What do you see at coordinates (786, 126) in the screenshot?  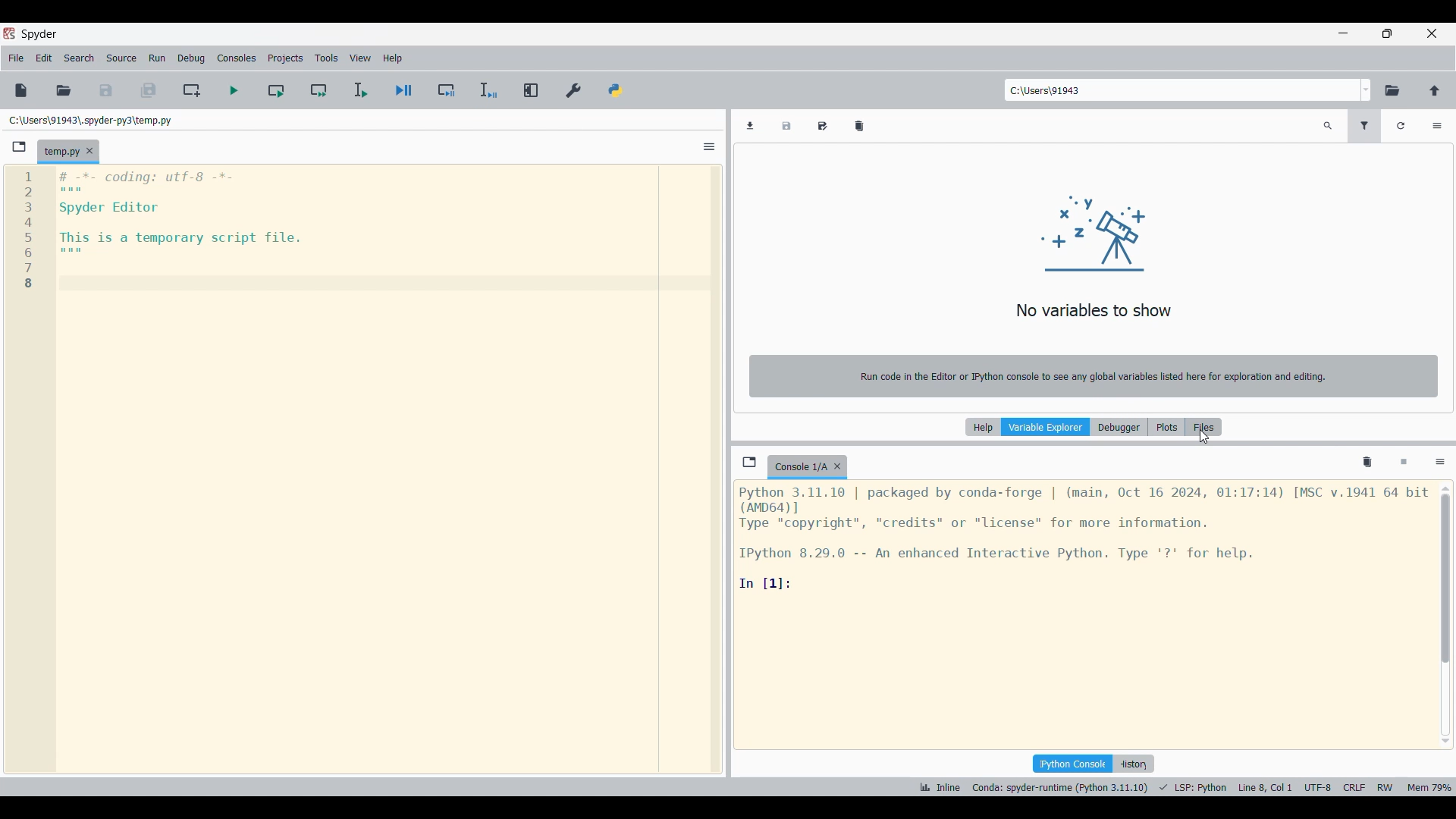 I see `Save data` at bounding box center [786, 126].